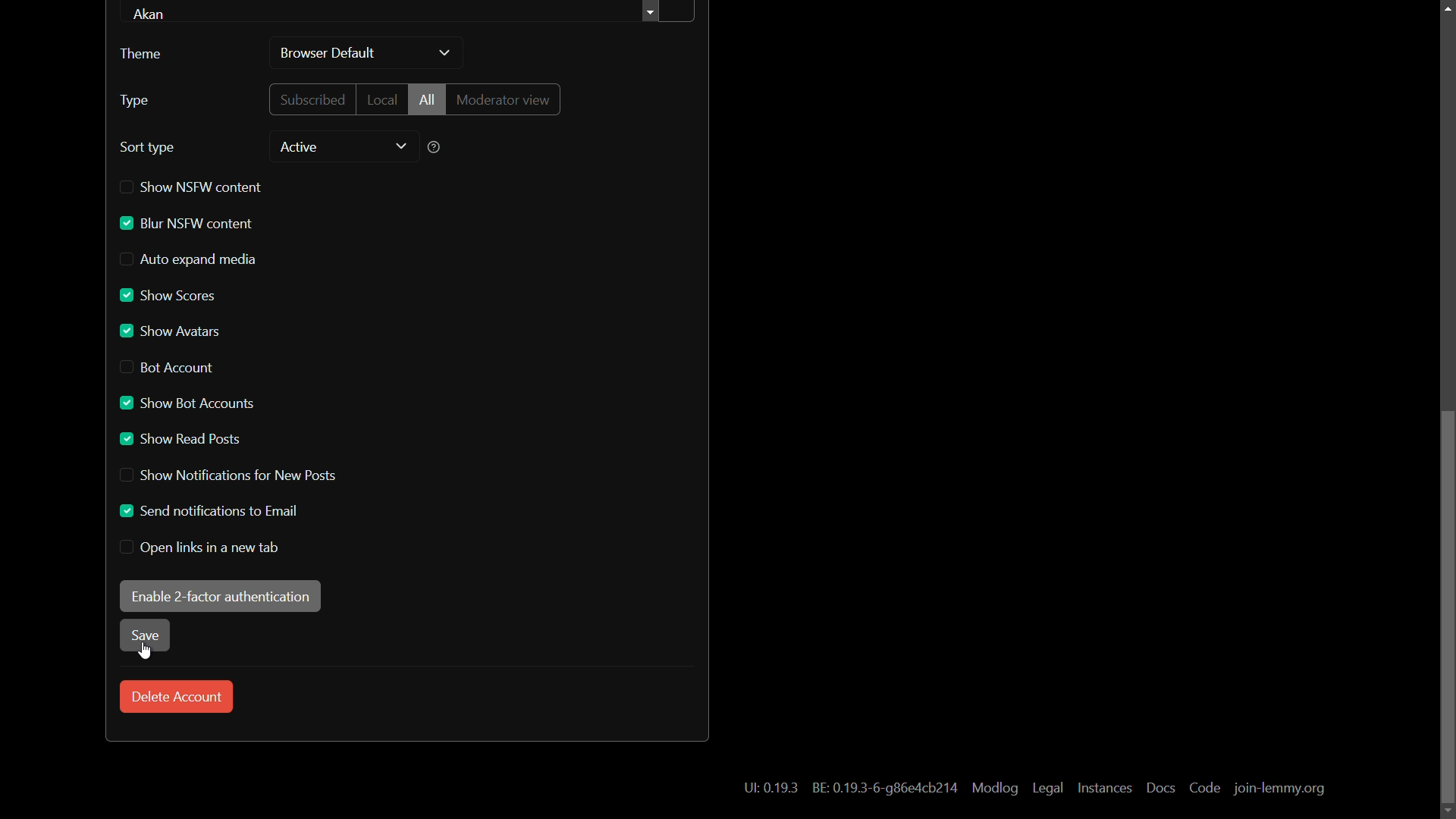 The height and width of the screenshot is (819, 1456). I want to click on send notifications to email, so click(206, 510).